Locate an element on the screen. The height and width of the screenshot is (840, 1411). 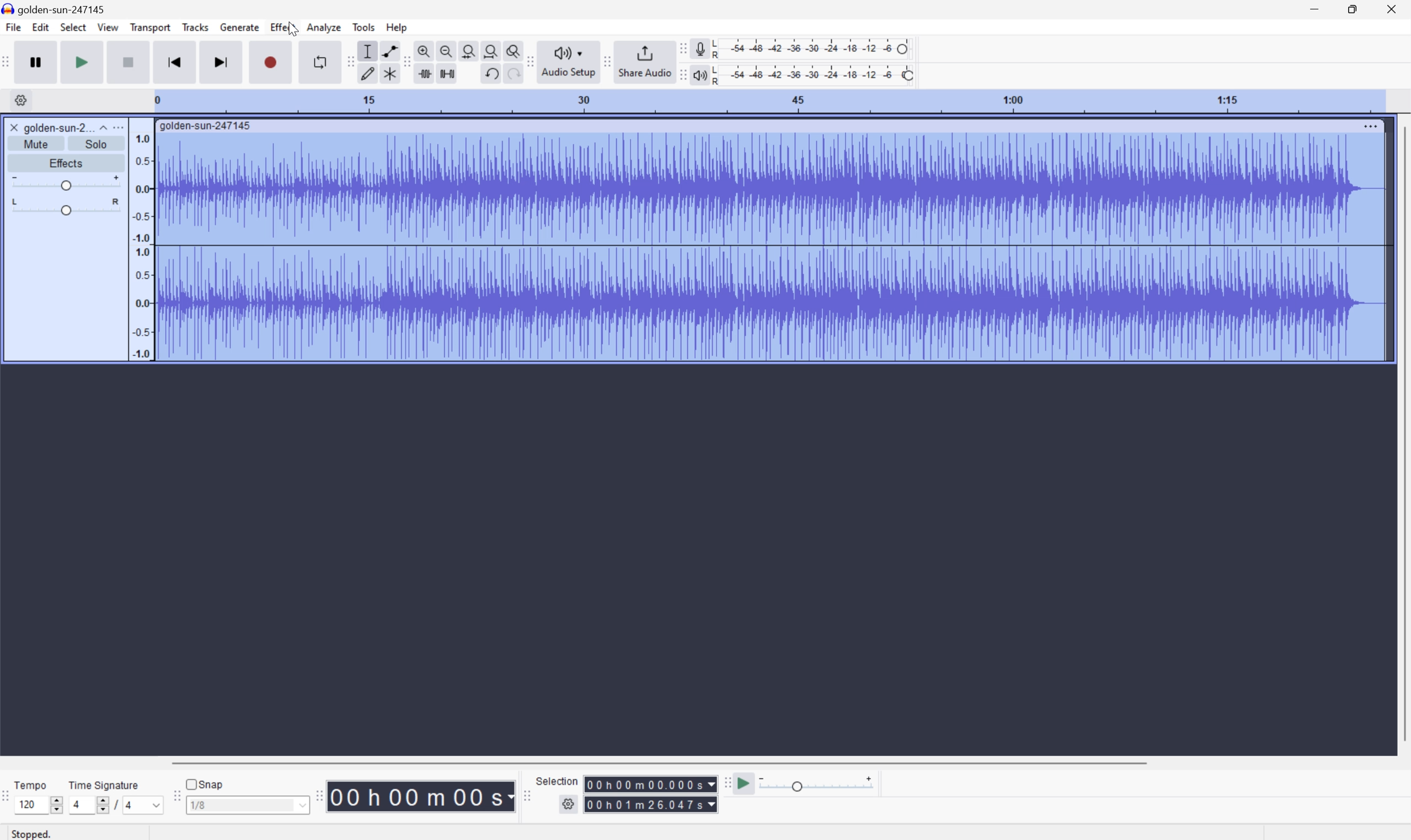
Play is located at coordinates (82, 61).